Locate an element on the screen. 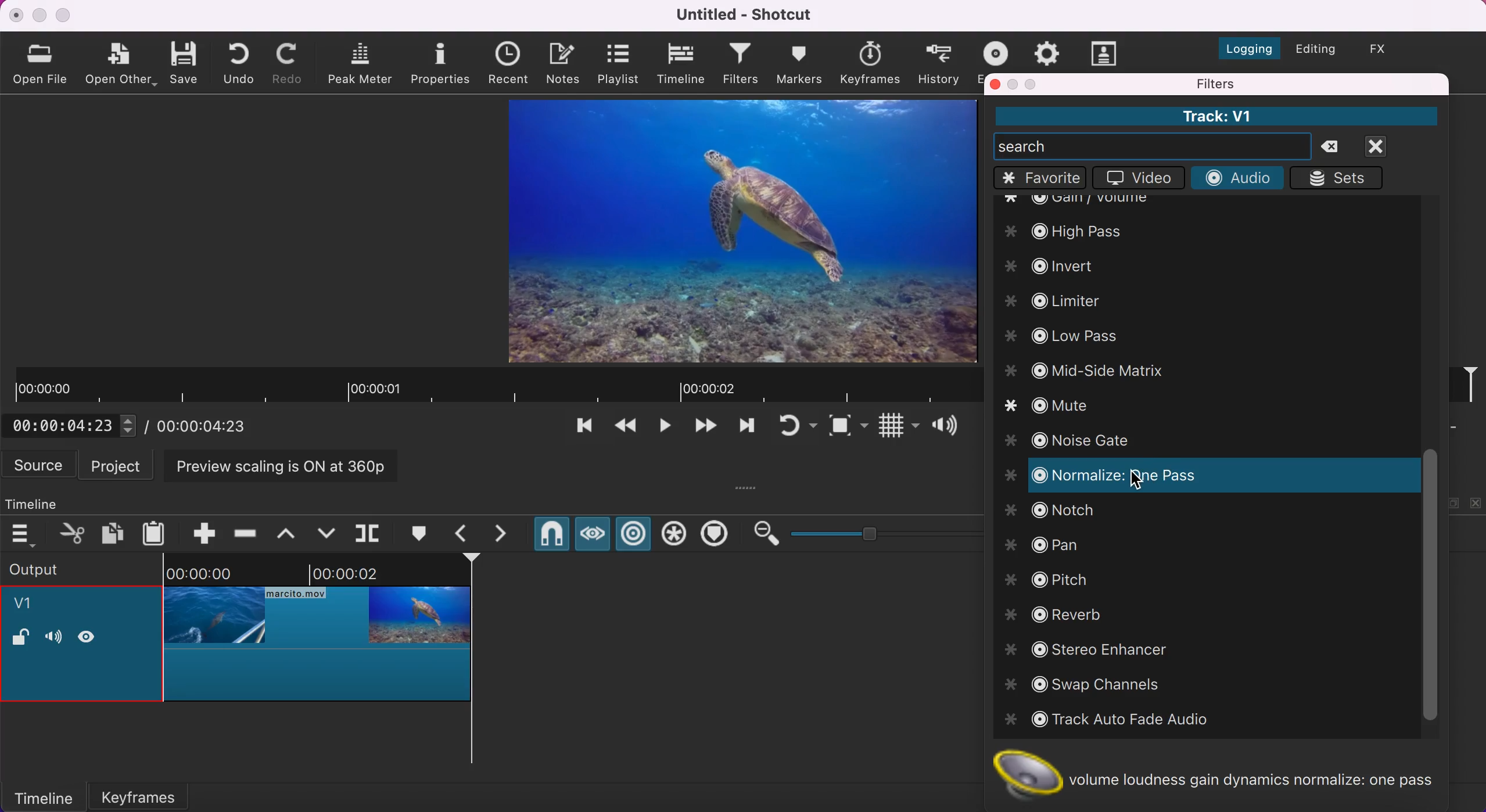 This screenshot has height=812, width=1486. cropped clip is located at coordinates (318, 635).